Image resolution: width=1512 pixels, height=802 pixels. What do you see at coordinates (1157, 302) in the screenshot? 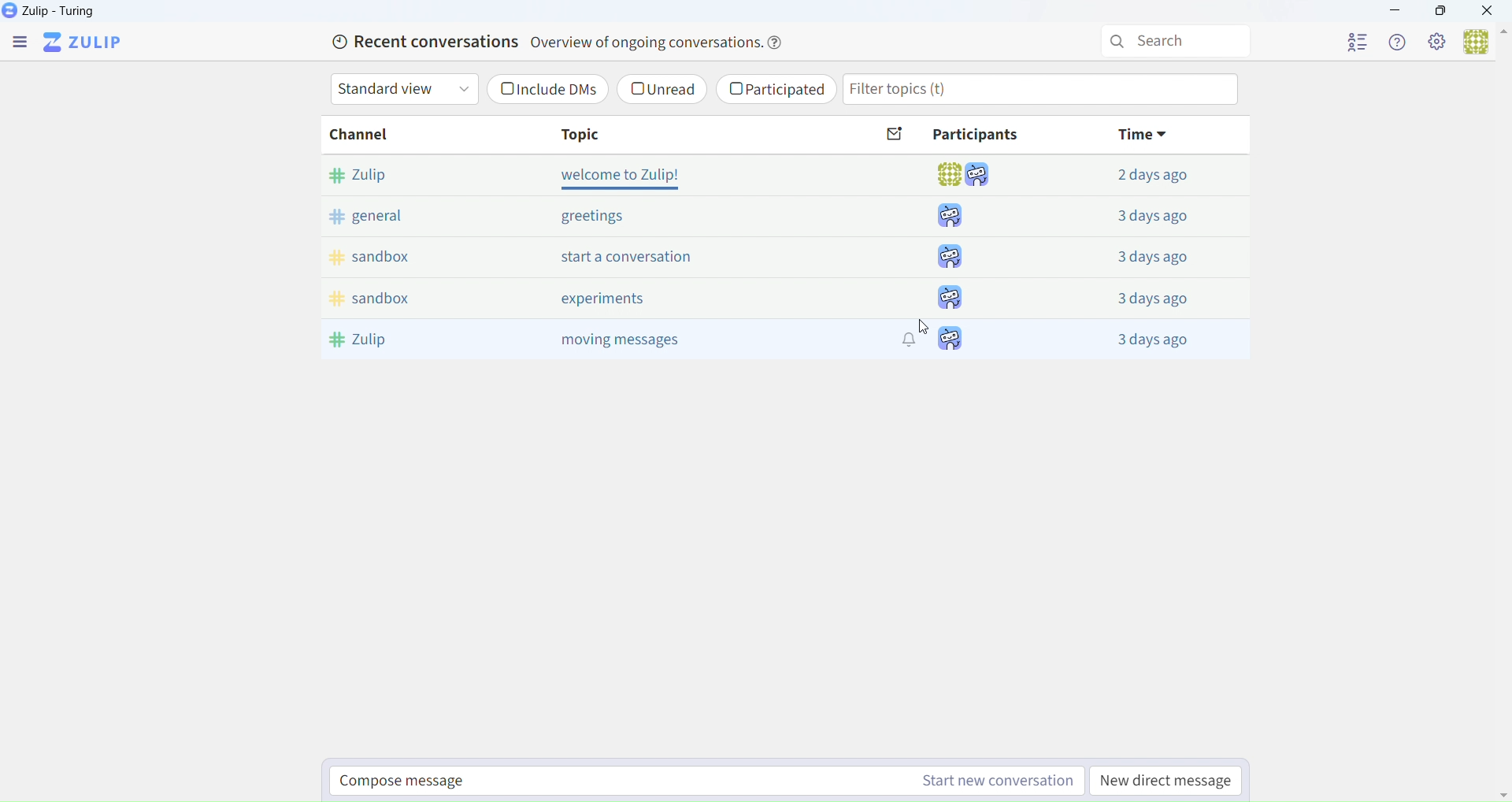
I see `3days ago` at bounding box center [1157, 302].